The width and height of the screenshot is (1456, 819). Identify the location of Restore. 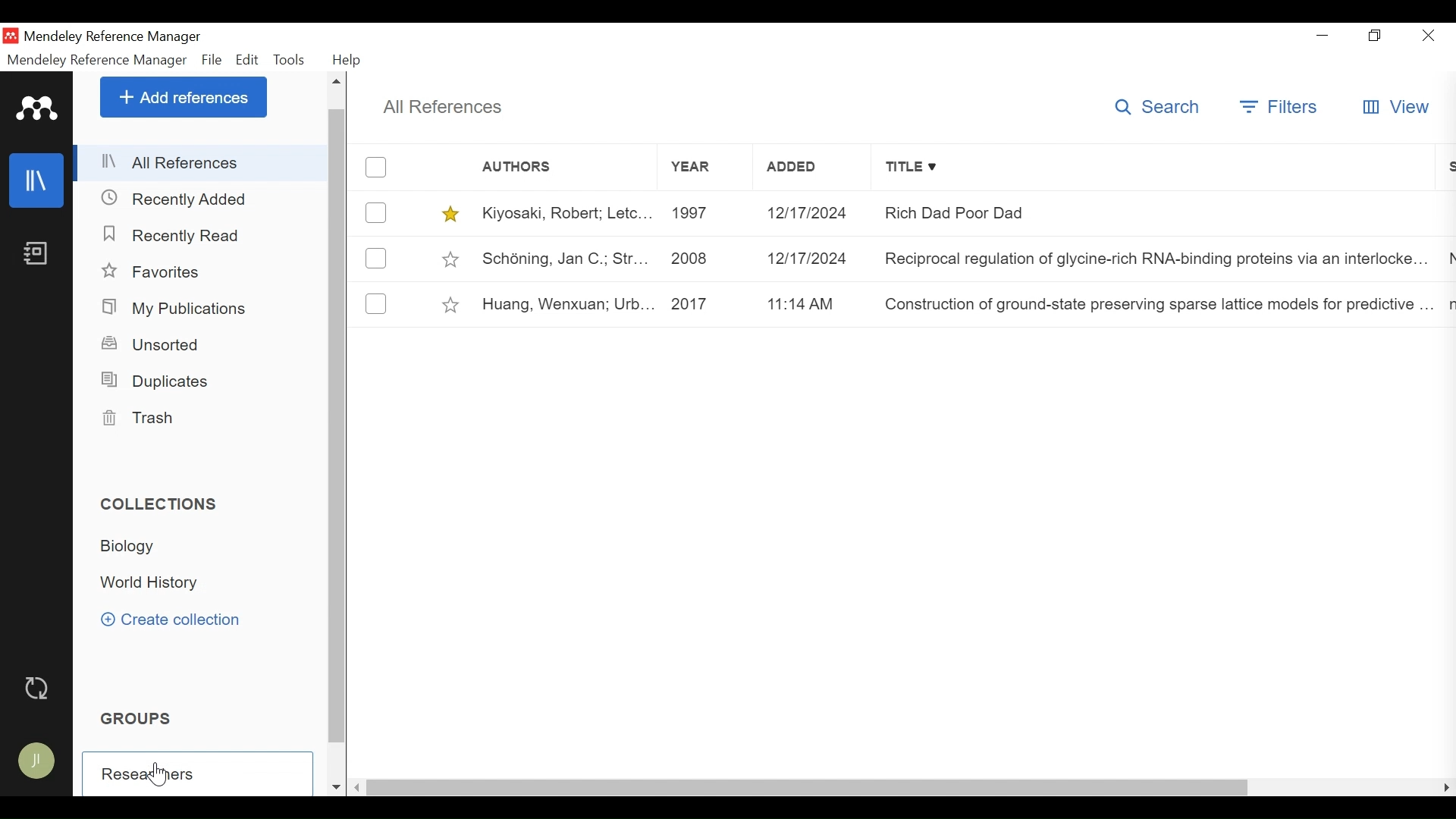
(1375, 35).